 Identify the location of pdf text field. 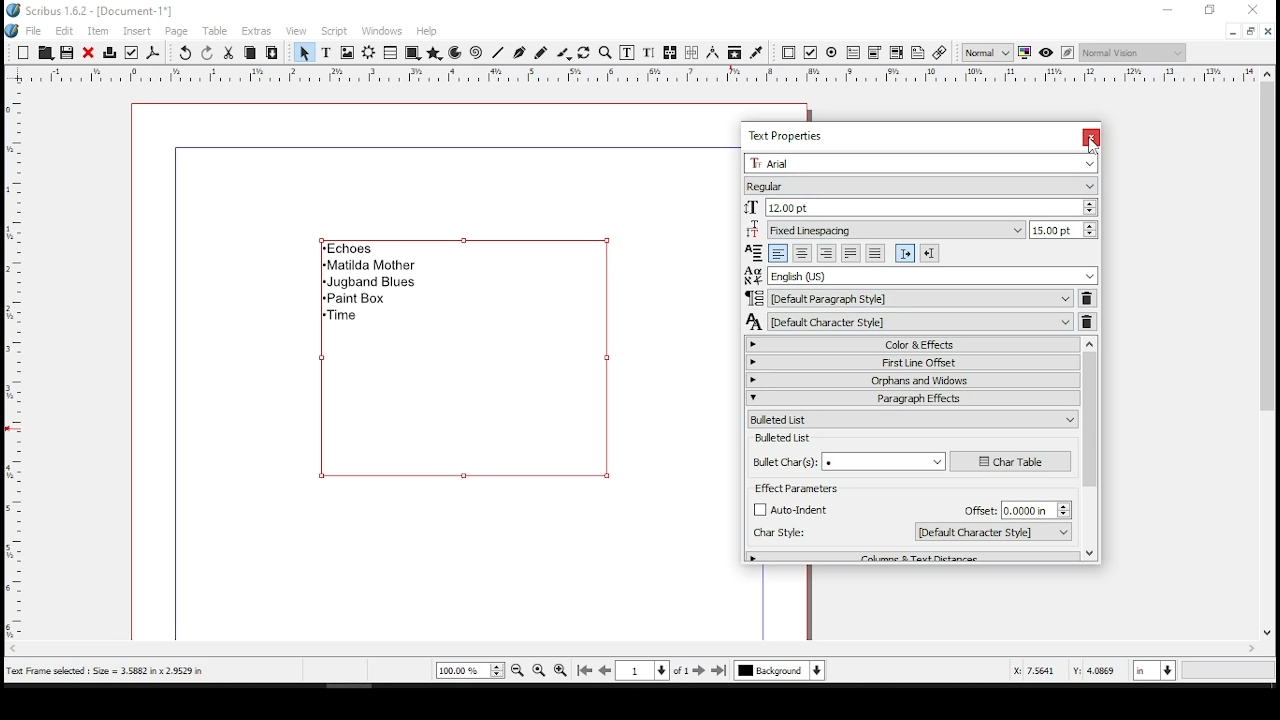
(853, 53).